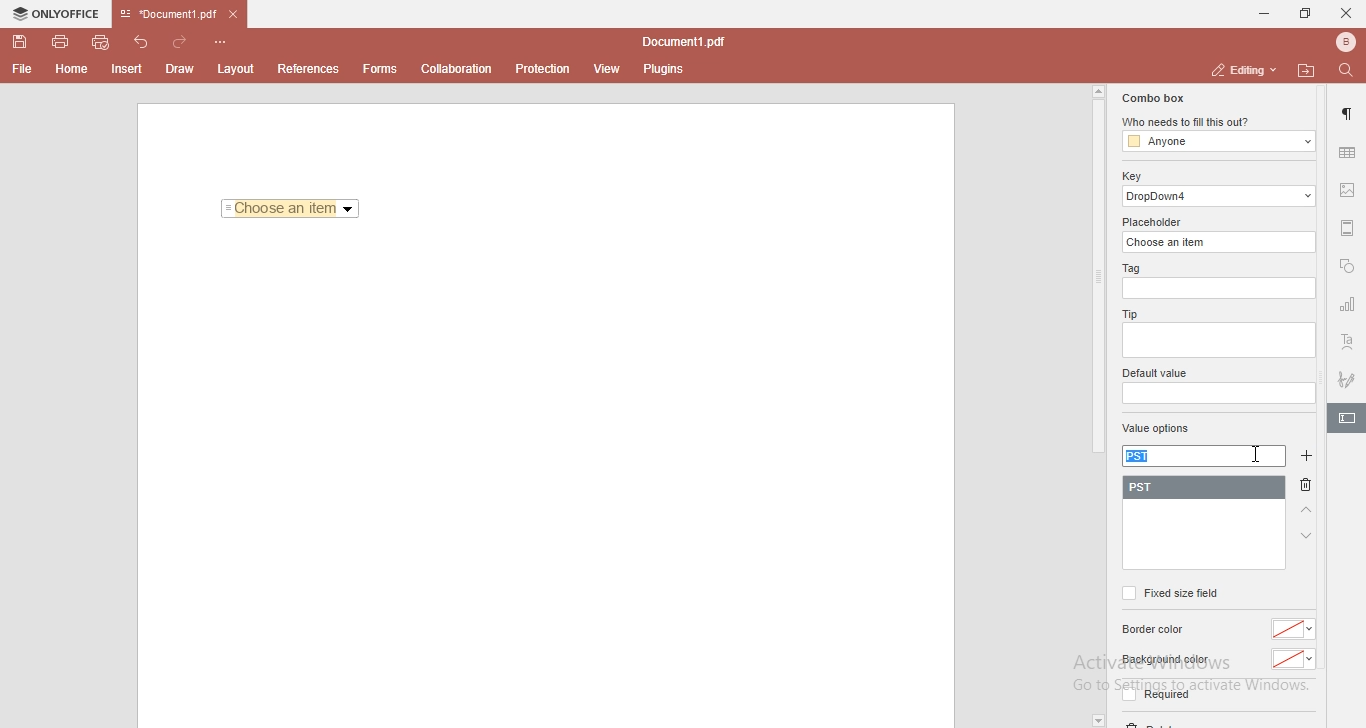 This screenshot has height=728, width=1366. Describe the element at coordinates (1221, 241) in the screenshot. I see `choose an item` at that location.